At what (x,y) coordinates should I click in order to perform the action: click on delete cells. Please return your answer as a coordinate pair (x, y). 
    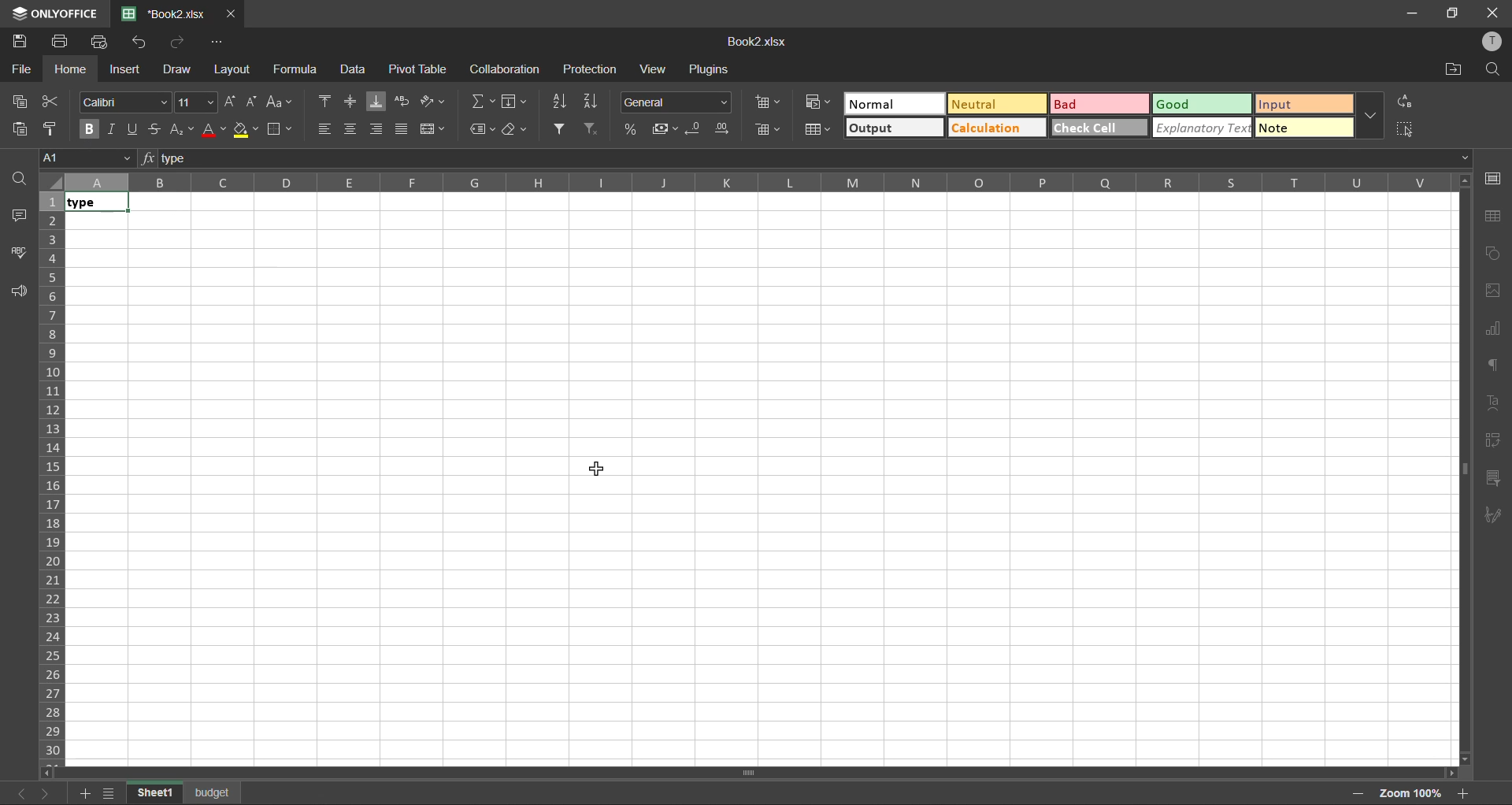
    Looking at the image, I should click on (769, 132).